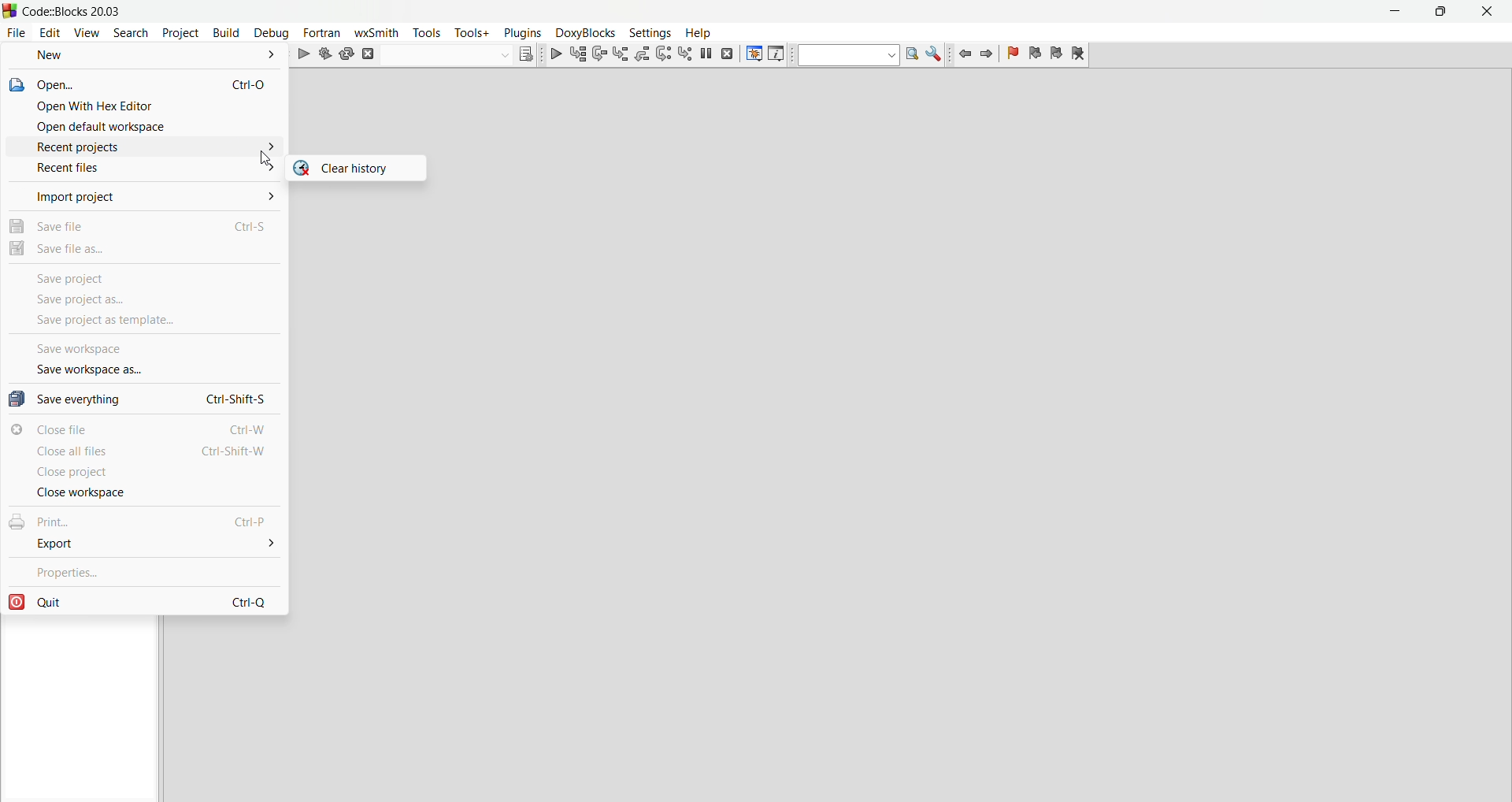 The height and width of the screenshot is (802, 1512). What do you see at coordinates (377, 33) in the screenshot?
I see `wxSmith` at bounding box center [377, 33].